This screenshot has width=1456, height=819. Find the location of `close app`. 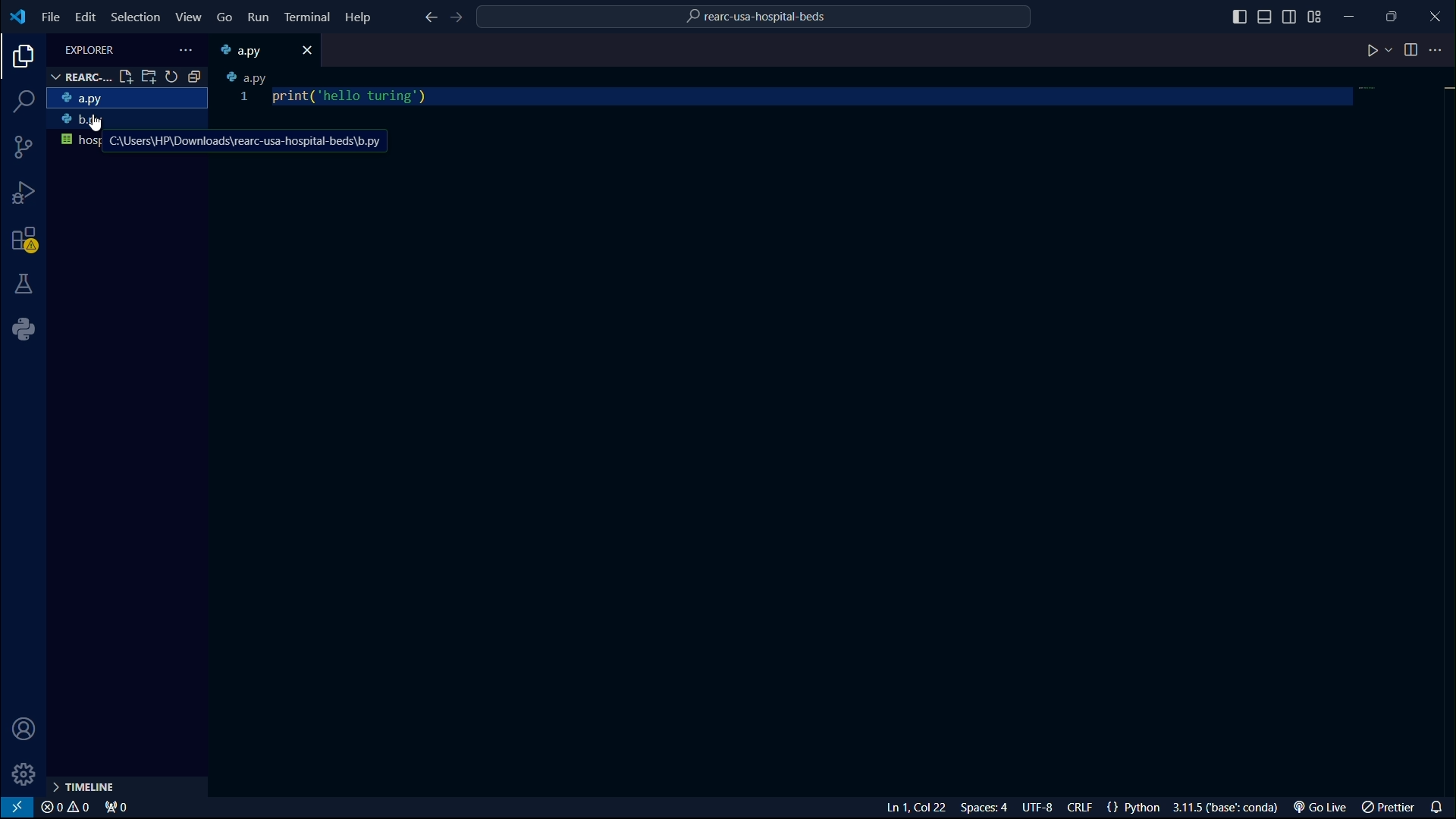

close app is located at coordinates (1438, 15).